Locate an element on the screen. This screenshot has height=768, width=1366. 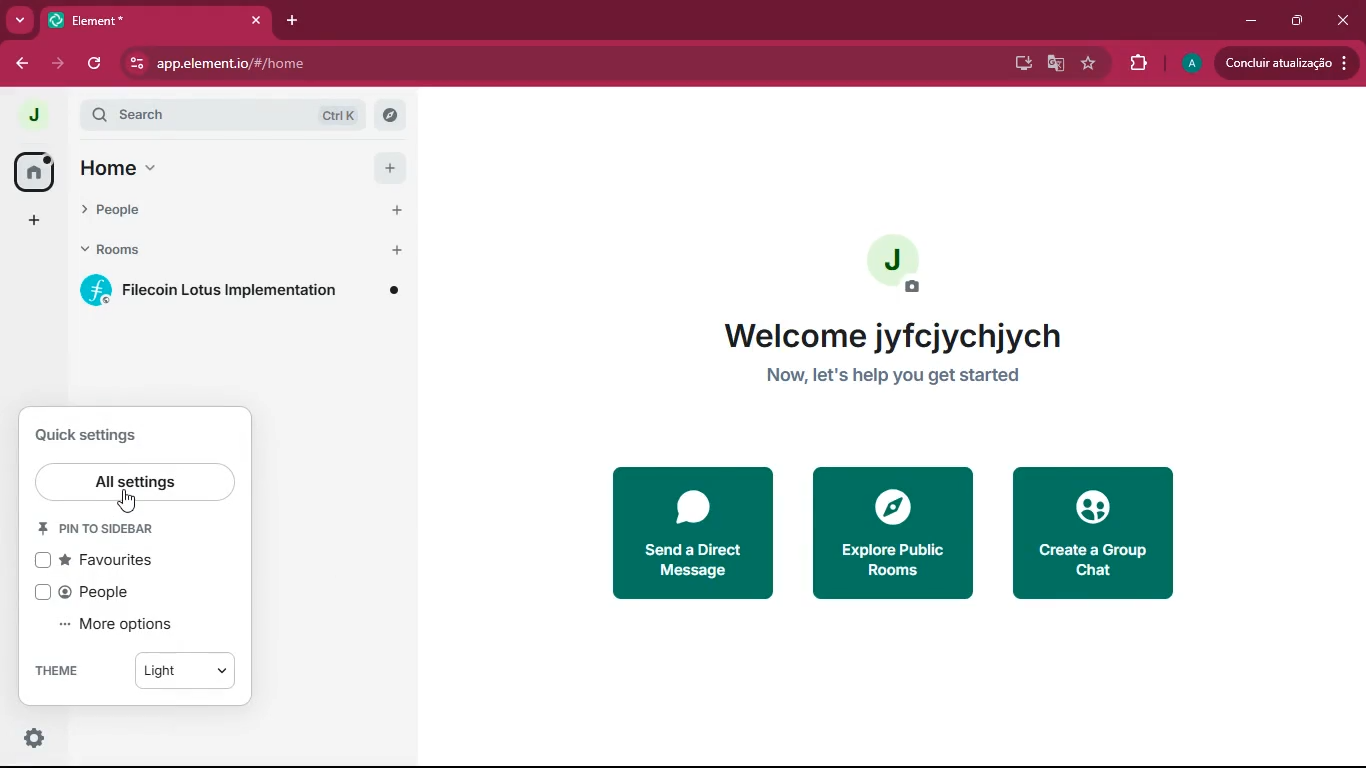
pin is located at coordinates (114, 529).